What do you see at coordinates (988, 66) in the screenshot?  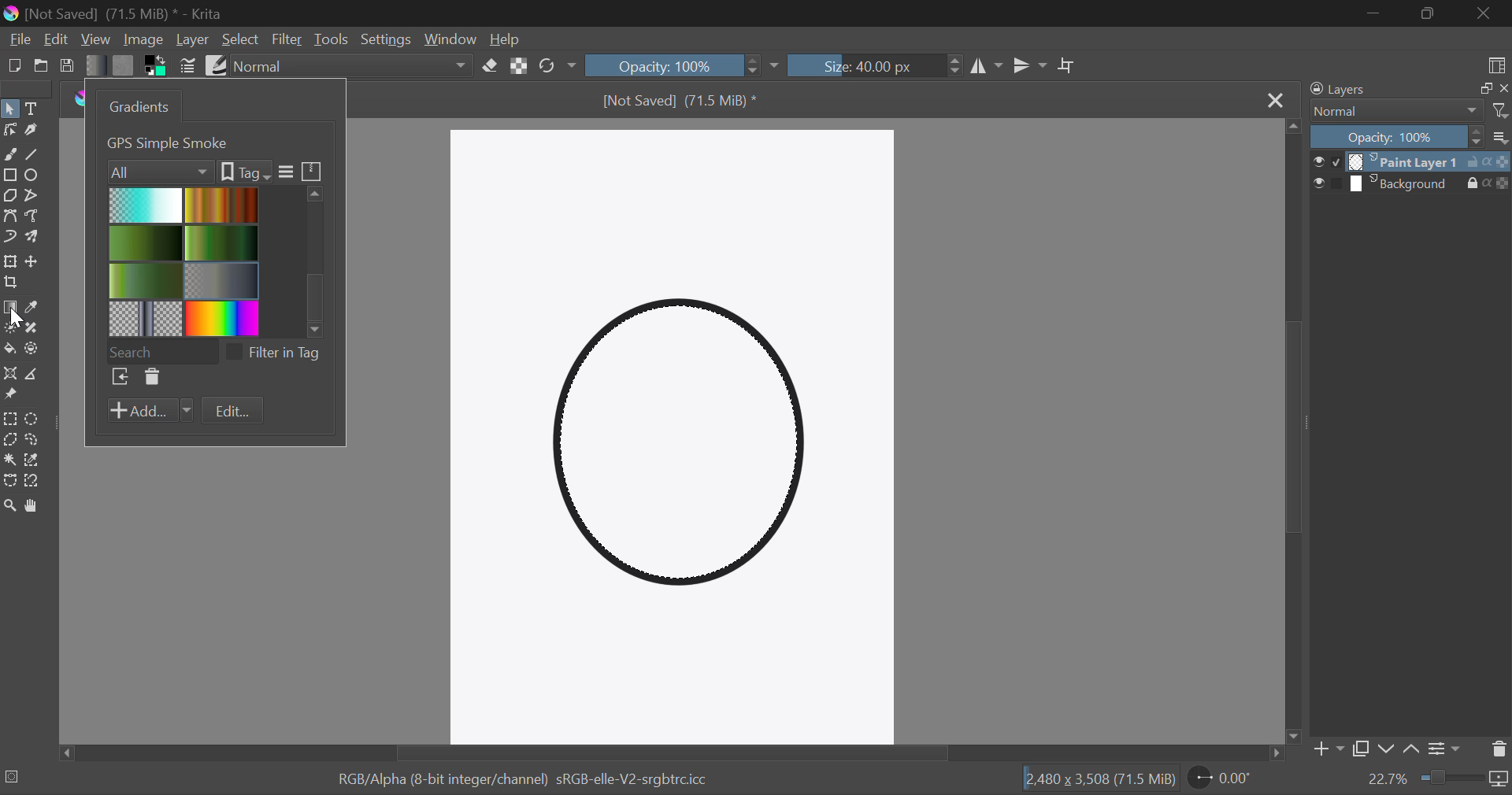 I see `Vertical Mirror Flip` at bounding box center [988, 66].